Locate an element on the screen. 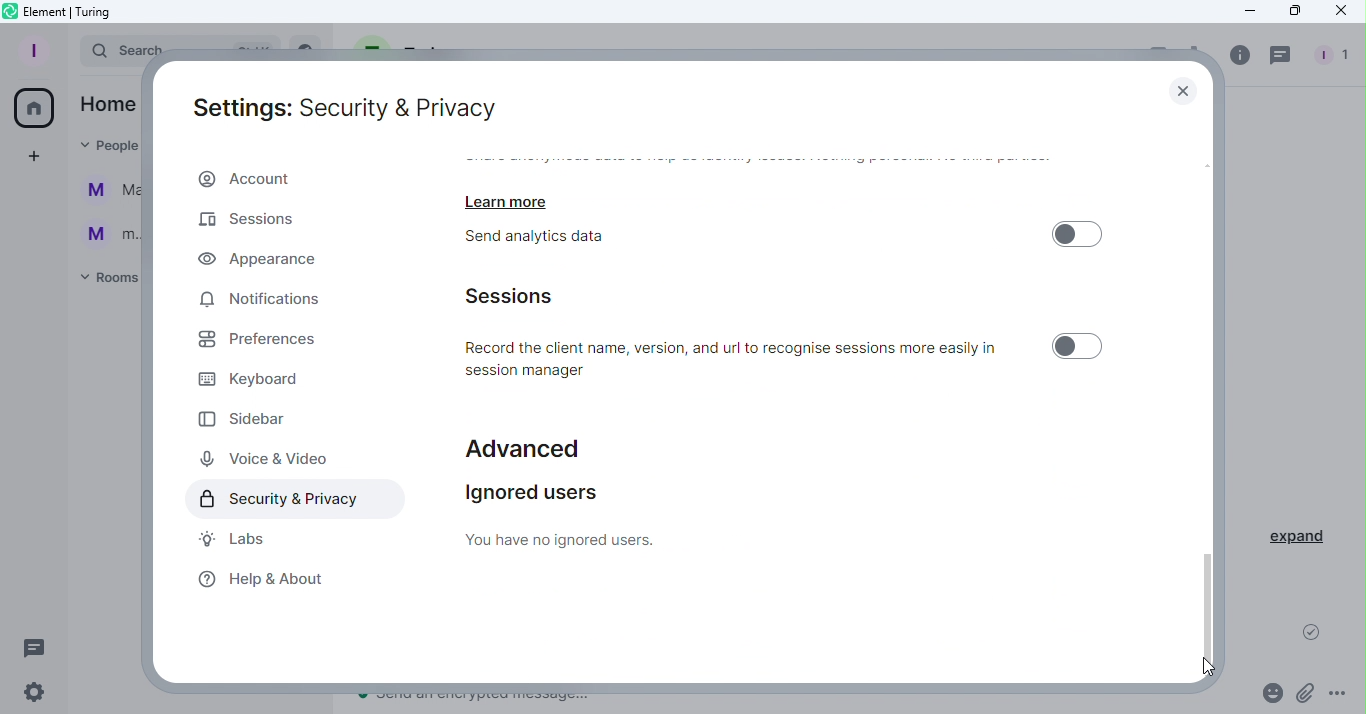 The image size is (1366, 714). Advanced is located at coordinates (524, 442).